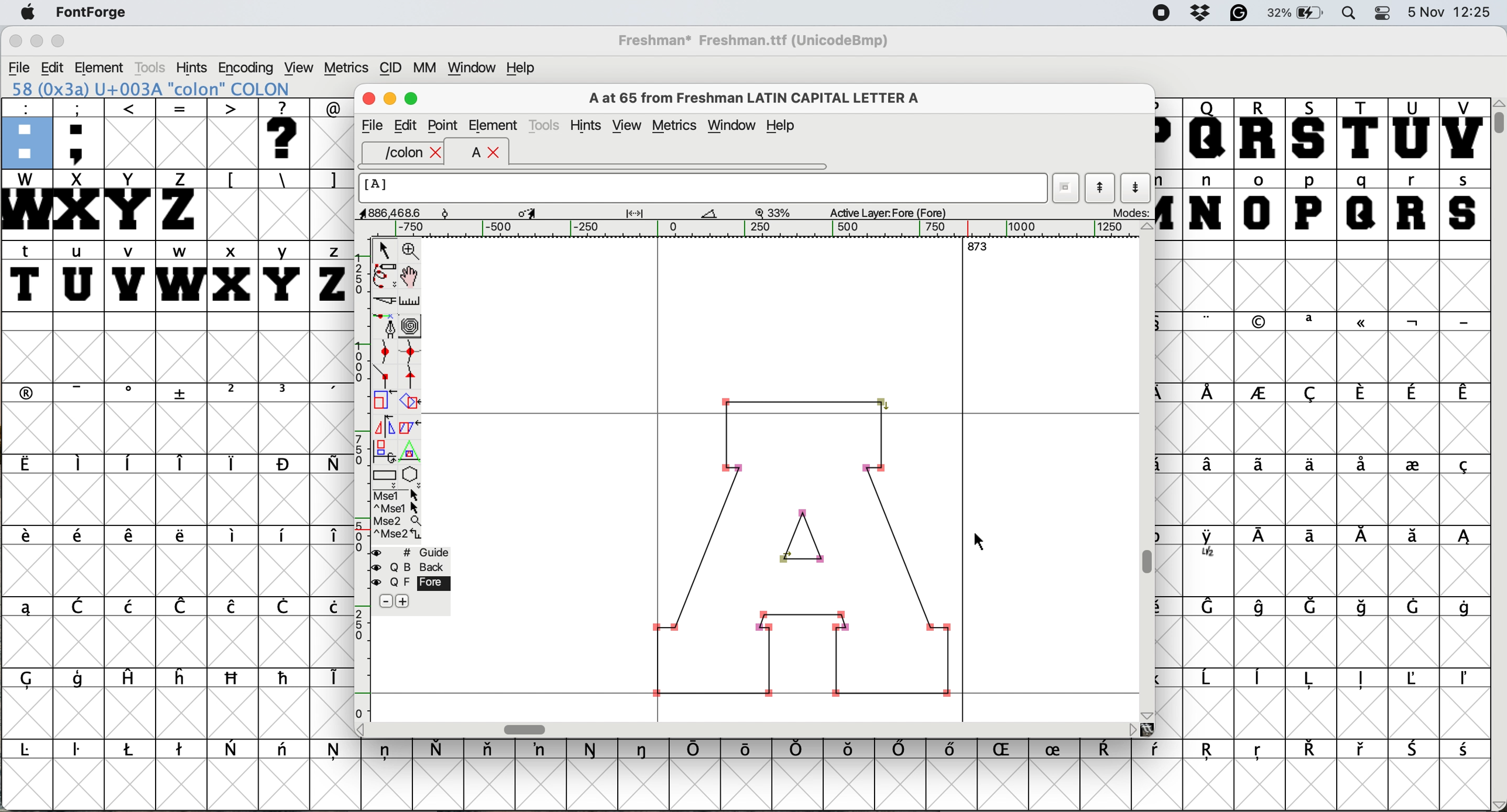  Describe the element at coordinates (182, 606) in the screenshot. I see `symbol` at that location.